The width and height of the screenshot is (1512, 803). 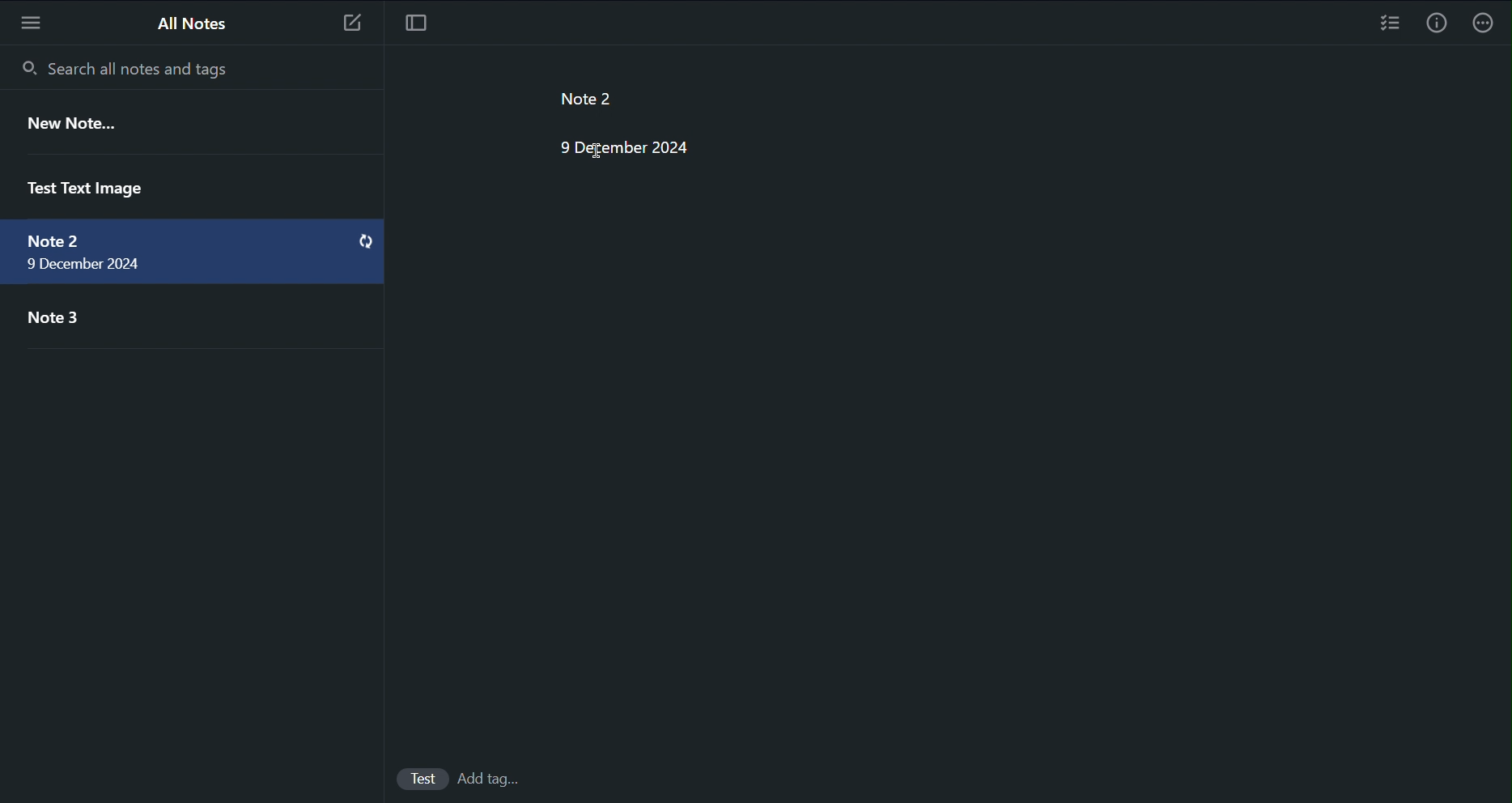 What do you see at coordinates (413, 20) in the screenshot?
I see `Focus Mode` at bounding box center [413, 20].